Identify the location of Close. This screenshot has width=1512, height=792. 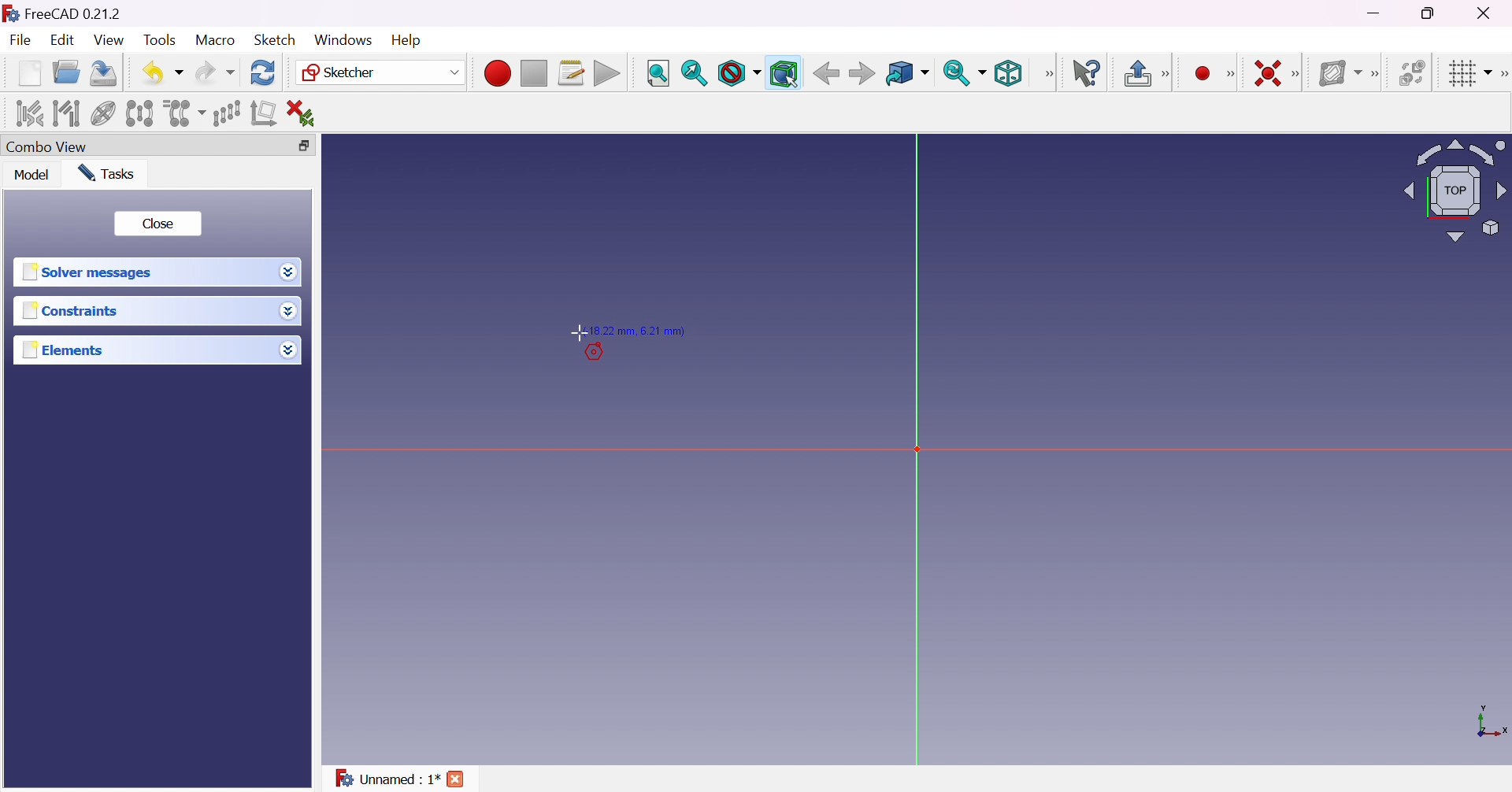
(457, 781).